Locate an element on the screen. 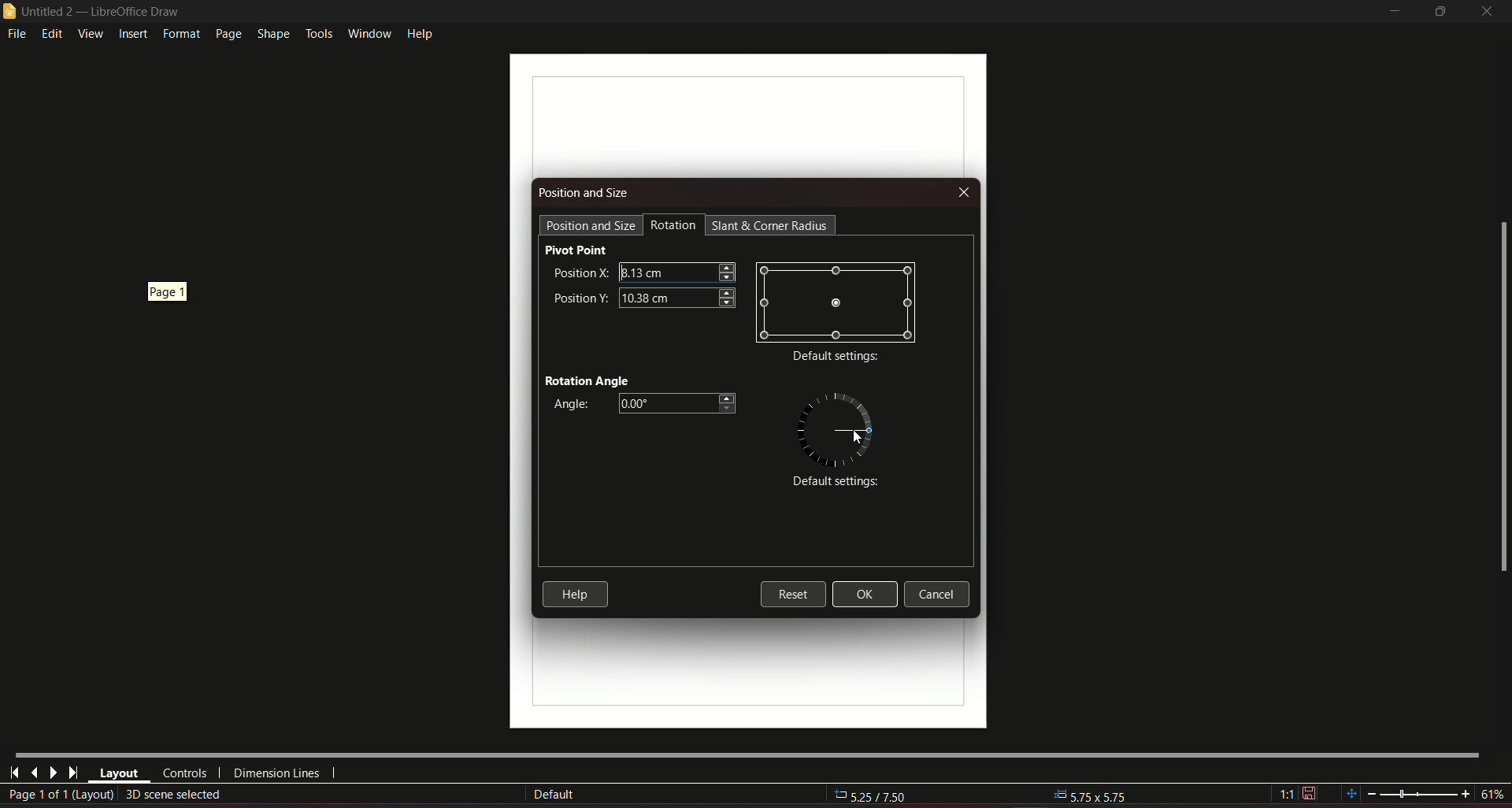 This screenshot has width=1512, height=808. Position and size is located at coordinates (585, 193).